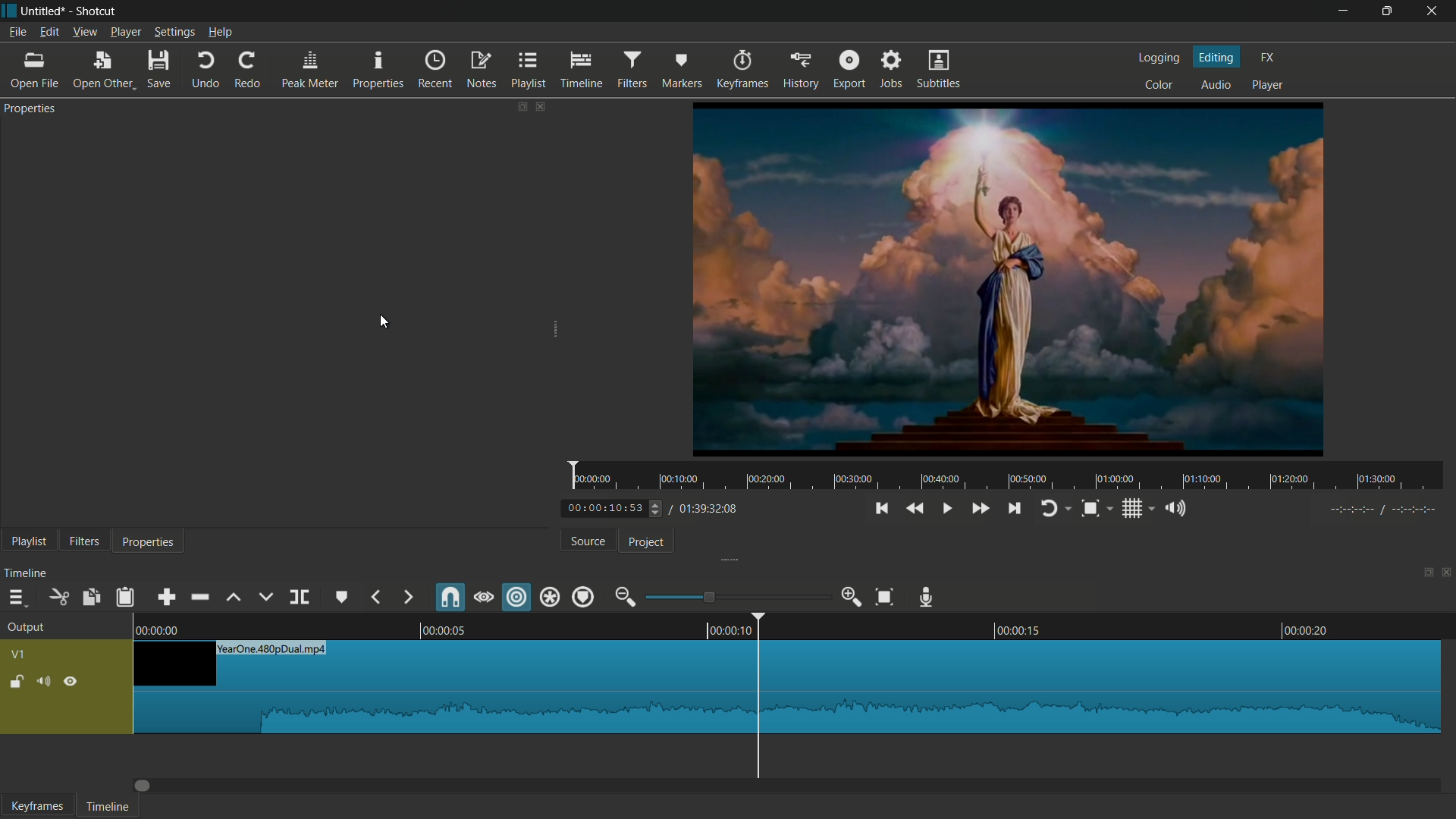  I want to click on playlist, so click(530, 70).